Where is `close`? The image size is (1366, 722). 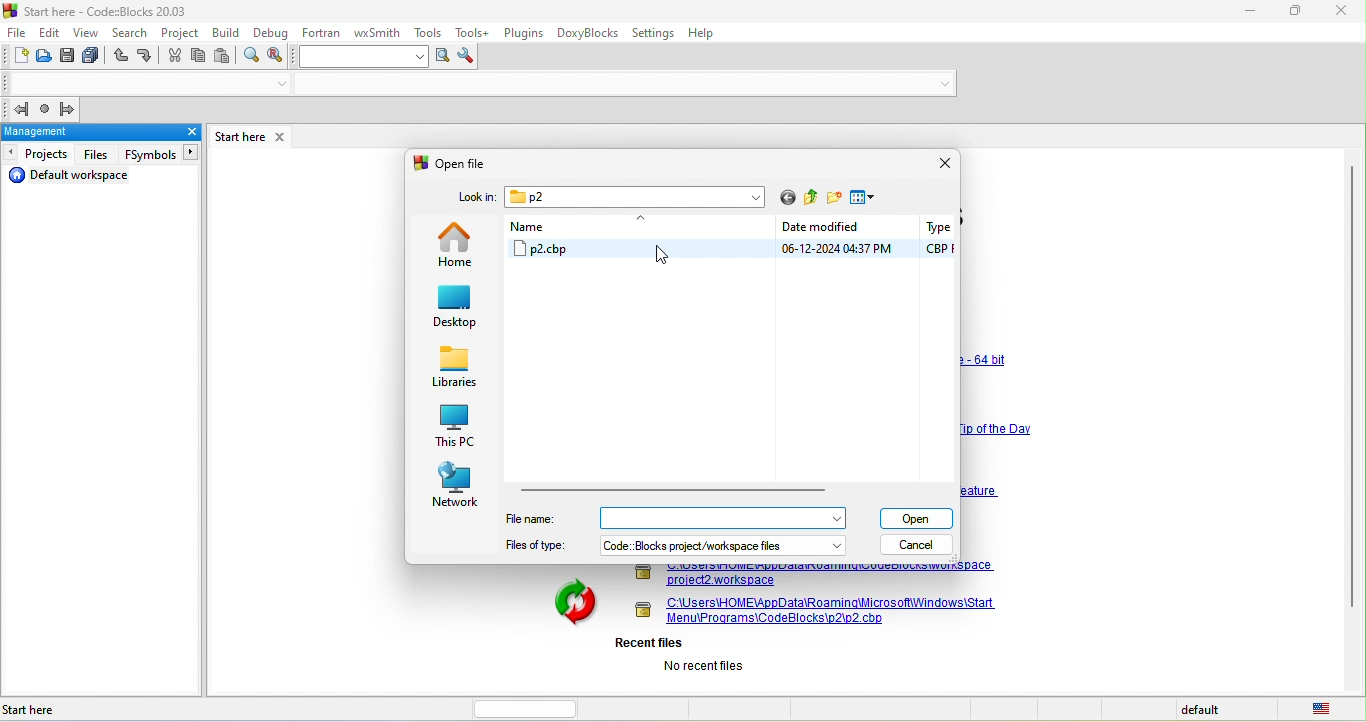
close is located at coordinates (182, 133).